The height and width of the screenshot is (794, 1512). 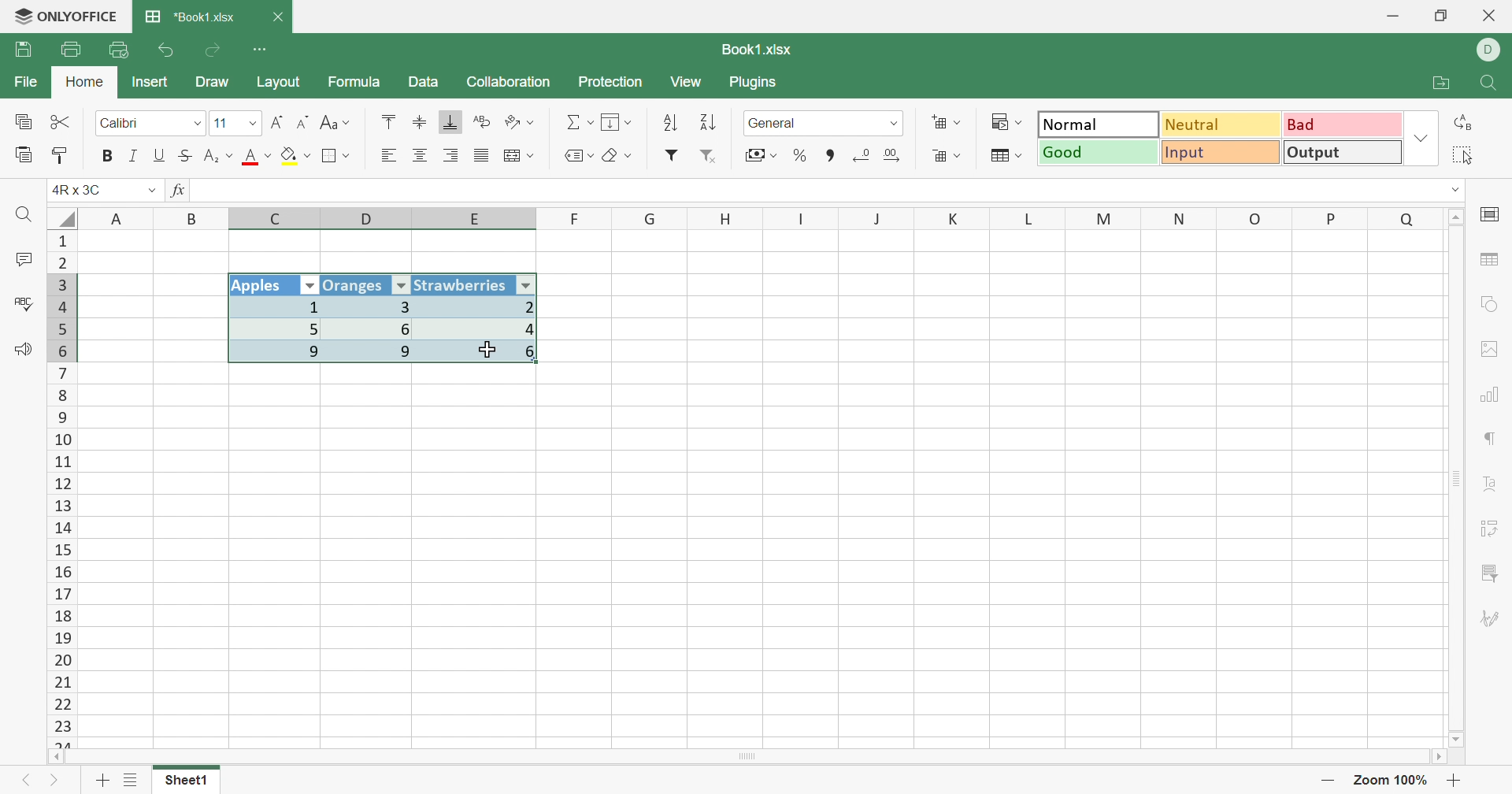 I want to click on I, so click(x=802, y=219).